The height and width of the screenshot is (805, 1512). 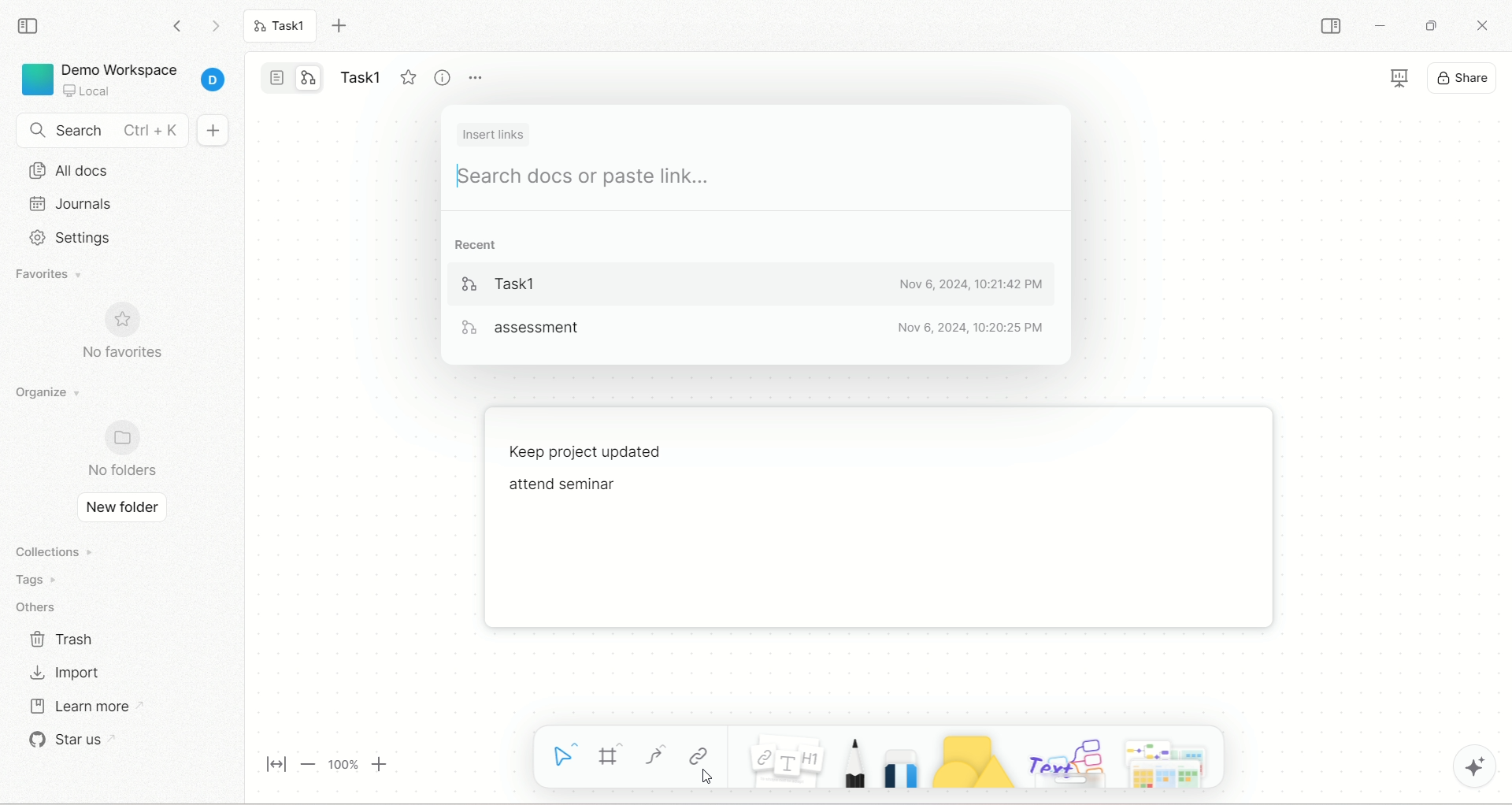 I want to click on learn more, so click(x=97, y=706).